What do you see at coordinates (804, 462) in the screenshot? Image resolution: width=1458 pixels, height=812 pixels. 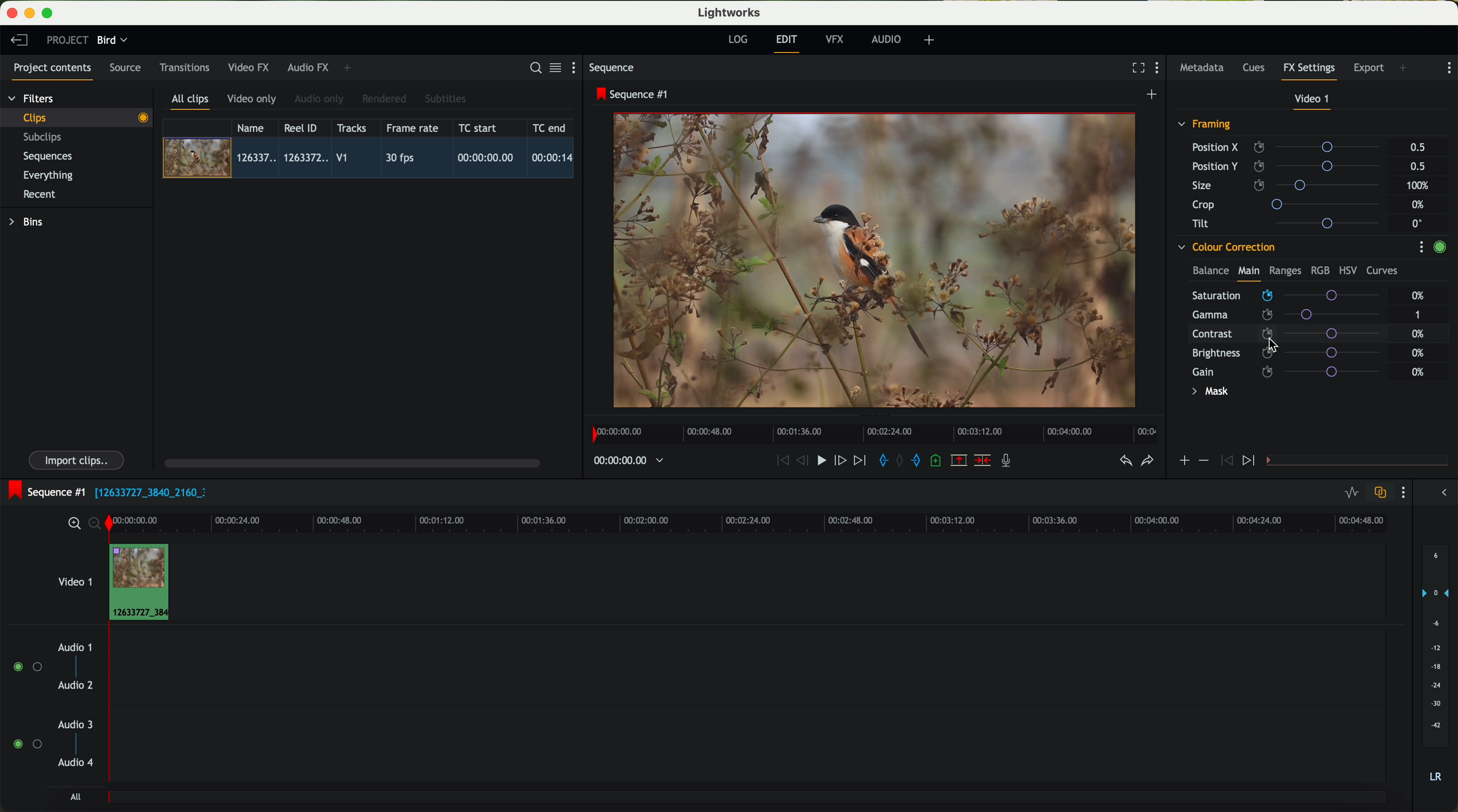 I see `nudge one frame back` at bounding box center [804, 462].